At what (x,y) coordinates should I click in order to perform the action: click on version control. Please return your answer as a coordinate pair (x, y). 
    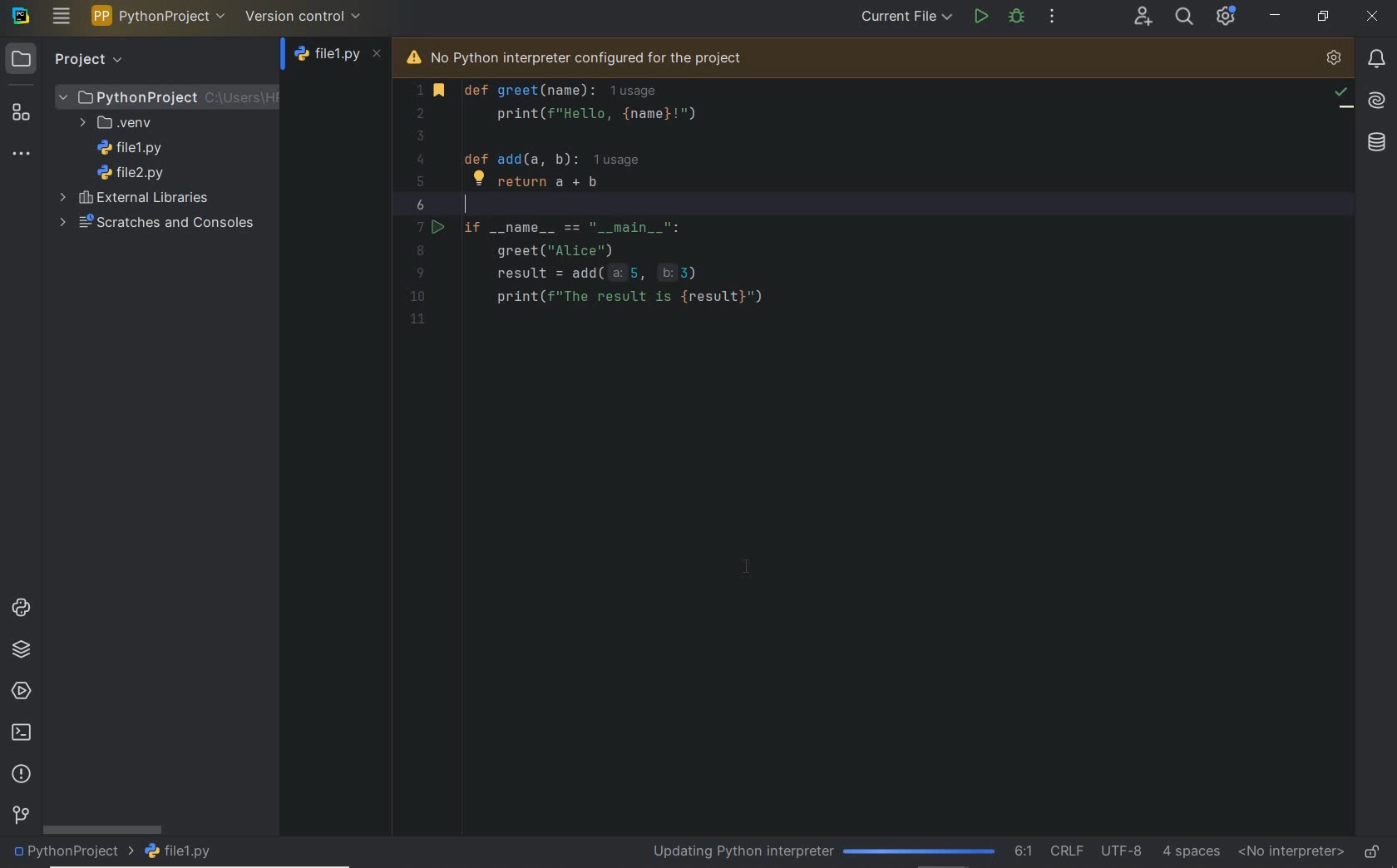
    Looking at the image, I should click on (20, 816).